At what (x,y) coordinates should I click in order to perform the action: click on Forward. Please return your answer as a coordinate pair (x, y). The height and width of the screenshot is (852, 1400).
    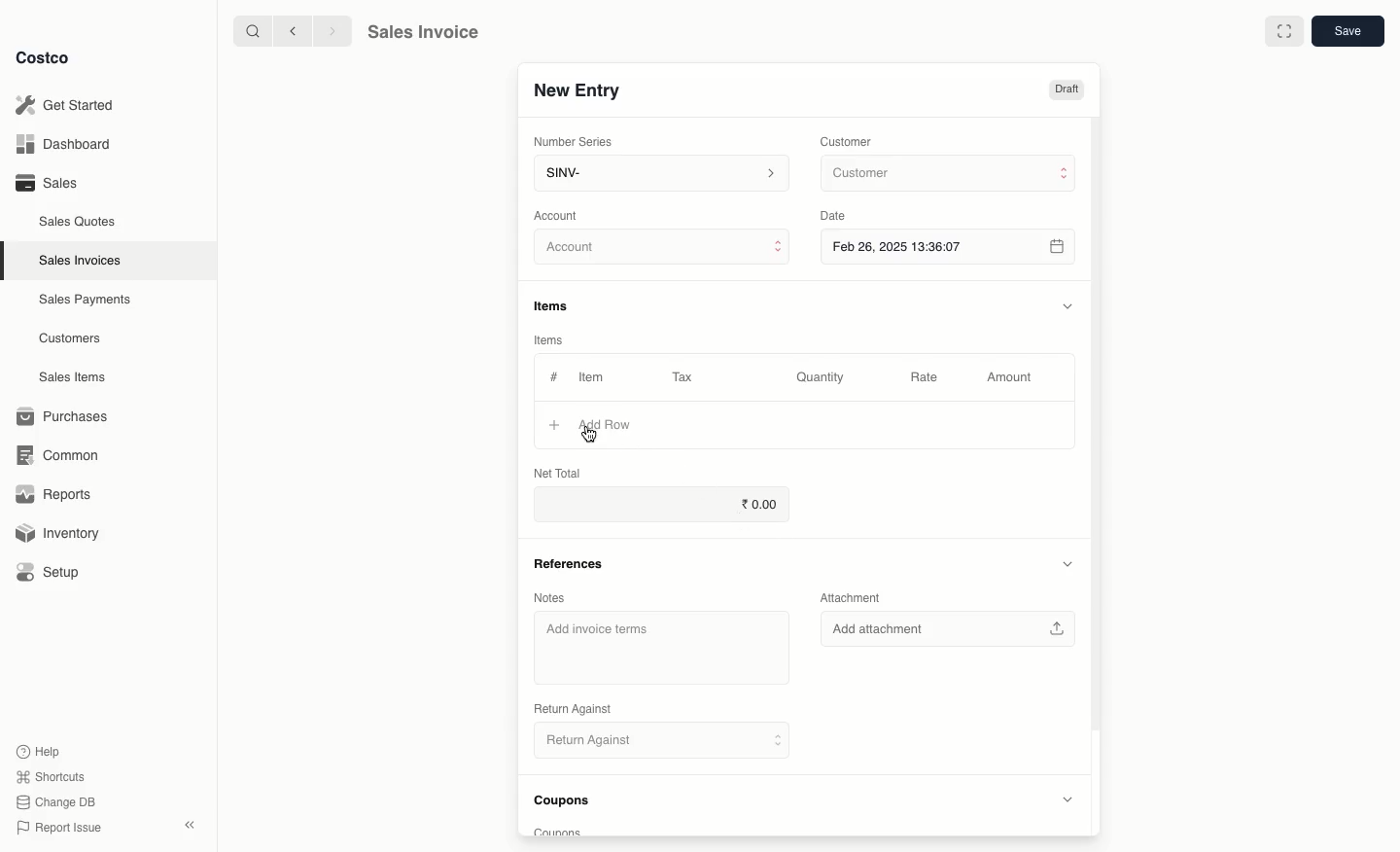
    Looking at the image, I should click on (332, 32).